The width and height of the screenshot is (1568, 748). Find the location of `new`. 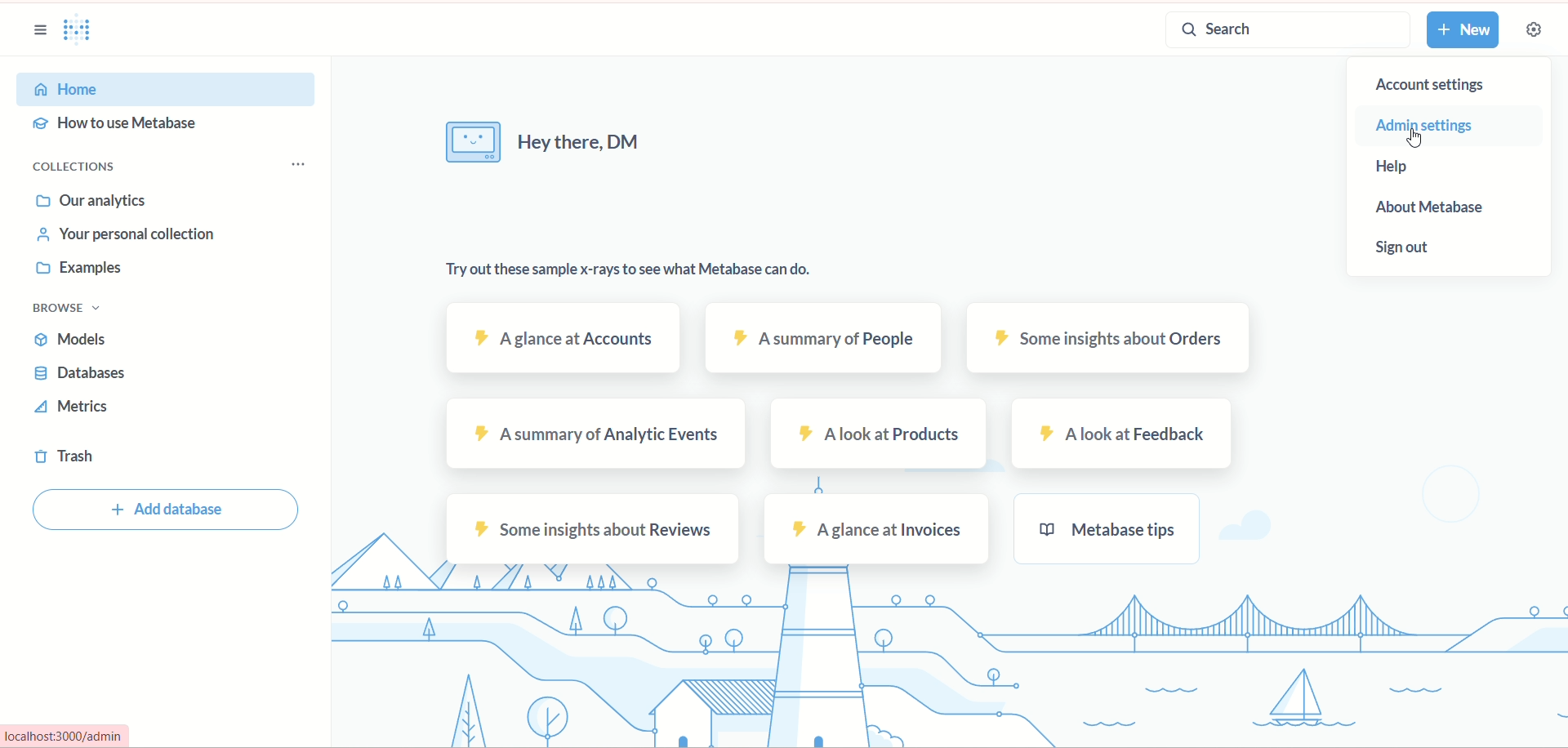

new is located at coordinates (1463, 30).